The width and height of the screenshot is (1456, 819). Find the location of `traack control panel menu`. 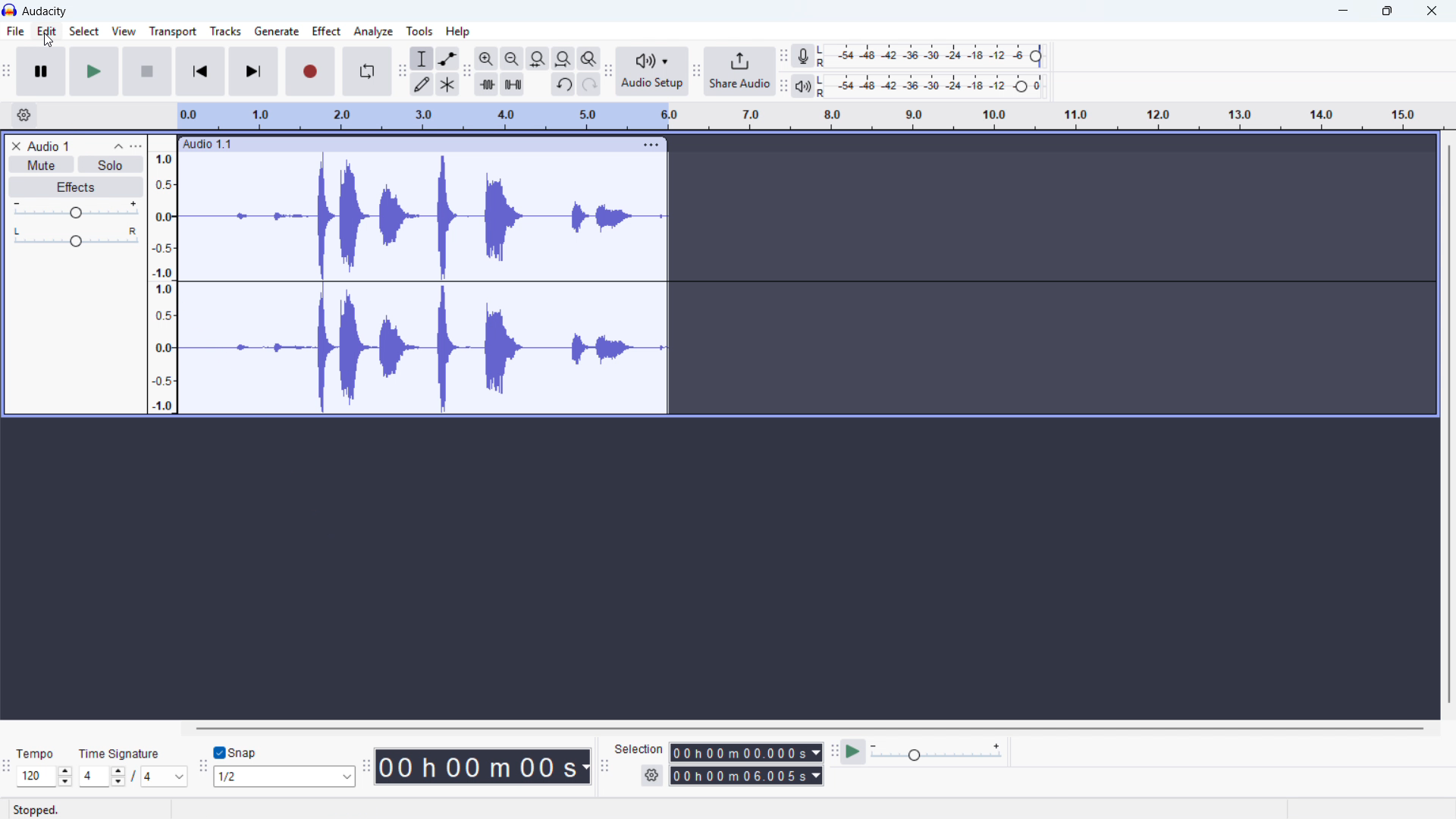

traack control panel menu is located at coordinates (136, 146).